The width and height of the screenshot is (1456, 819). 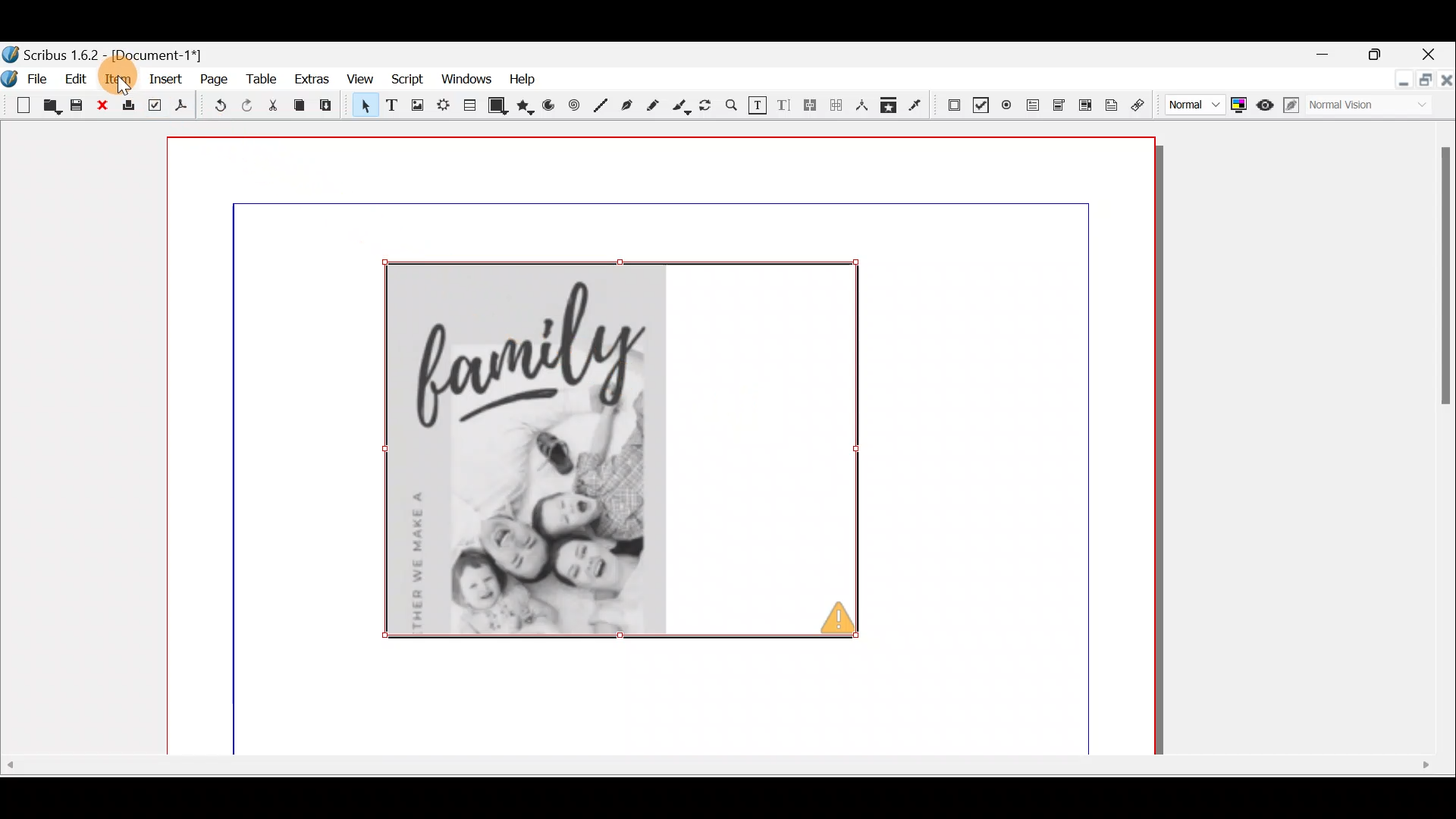 I want to click on Text frame, so click(x=392, y=106).